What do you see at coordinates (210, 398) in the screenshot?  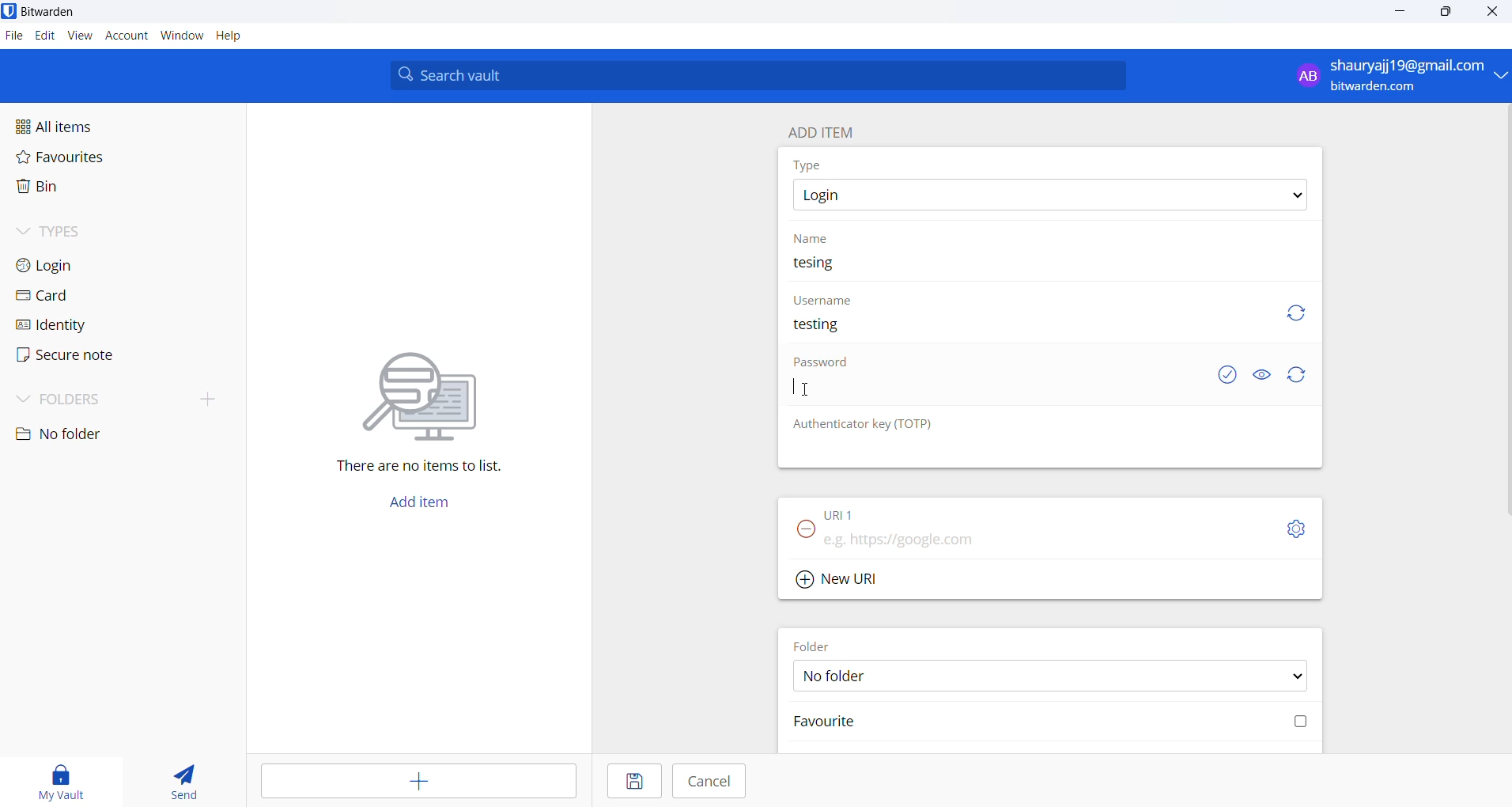 I see `add folder button` at bounding box center [210, 398].